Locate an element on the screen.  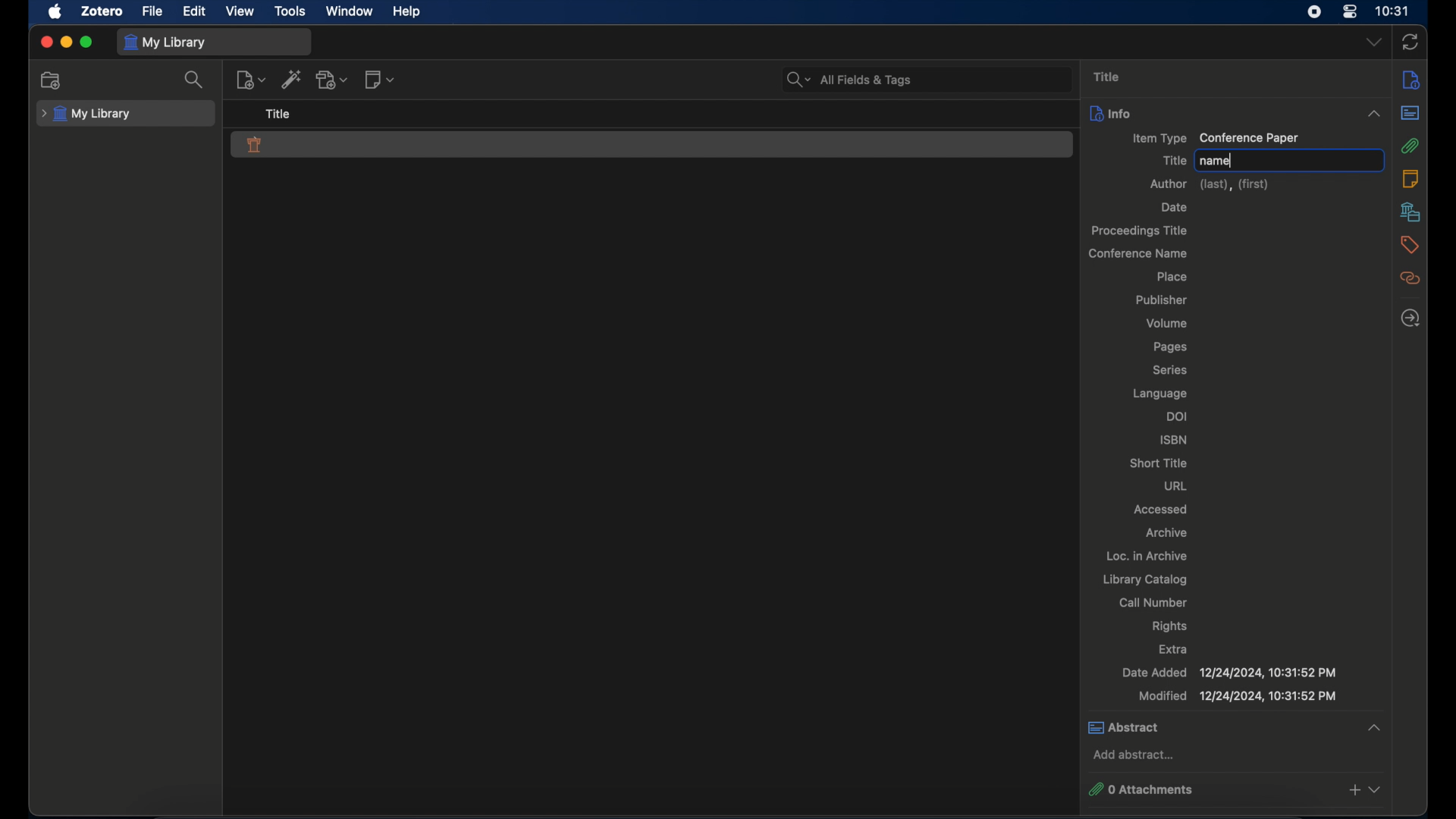
dropdown is located at coordinates (1375, 42).